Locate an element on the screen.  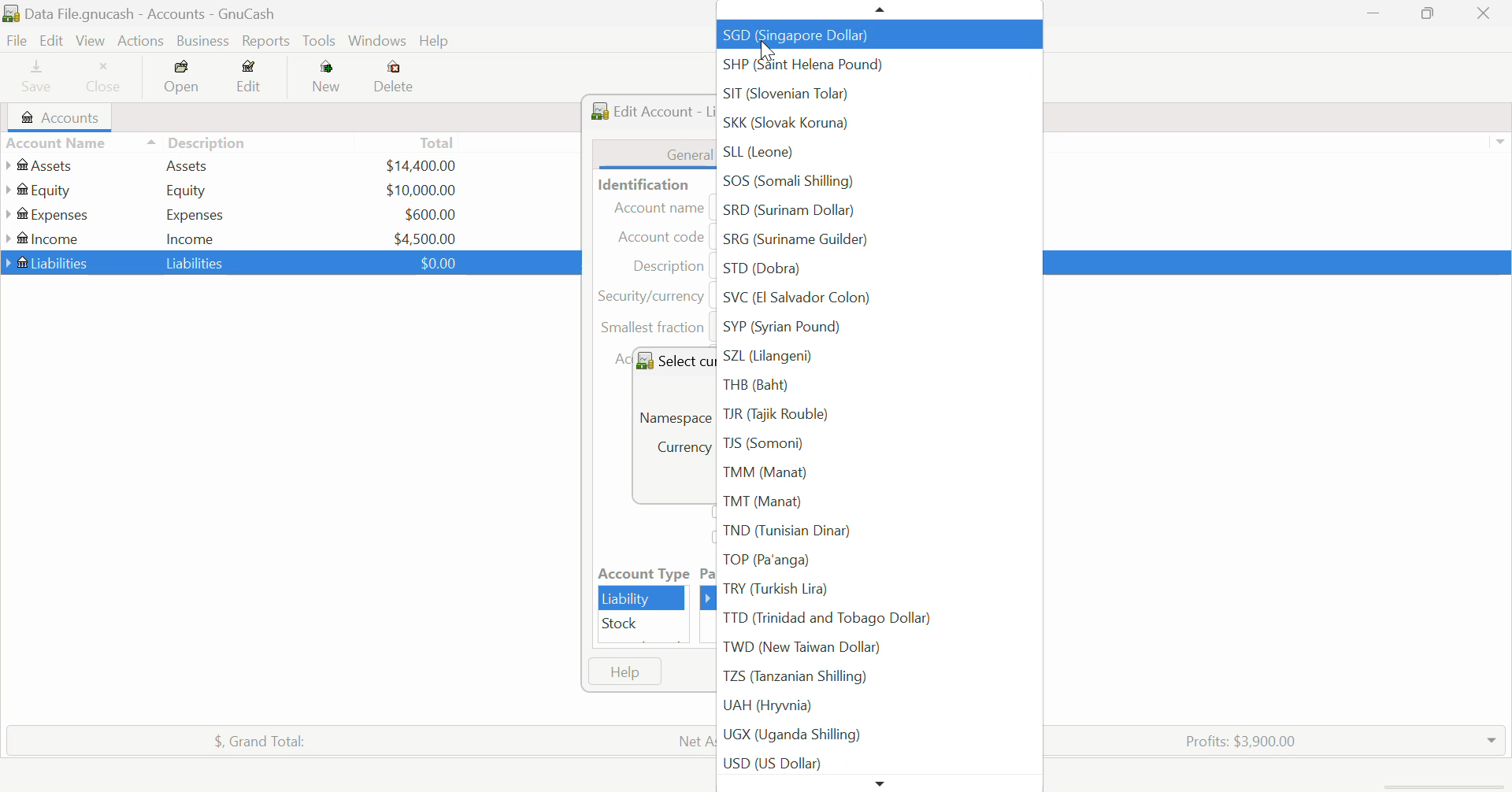
Liability is located at coordinates (643, 598).